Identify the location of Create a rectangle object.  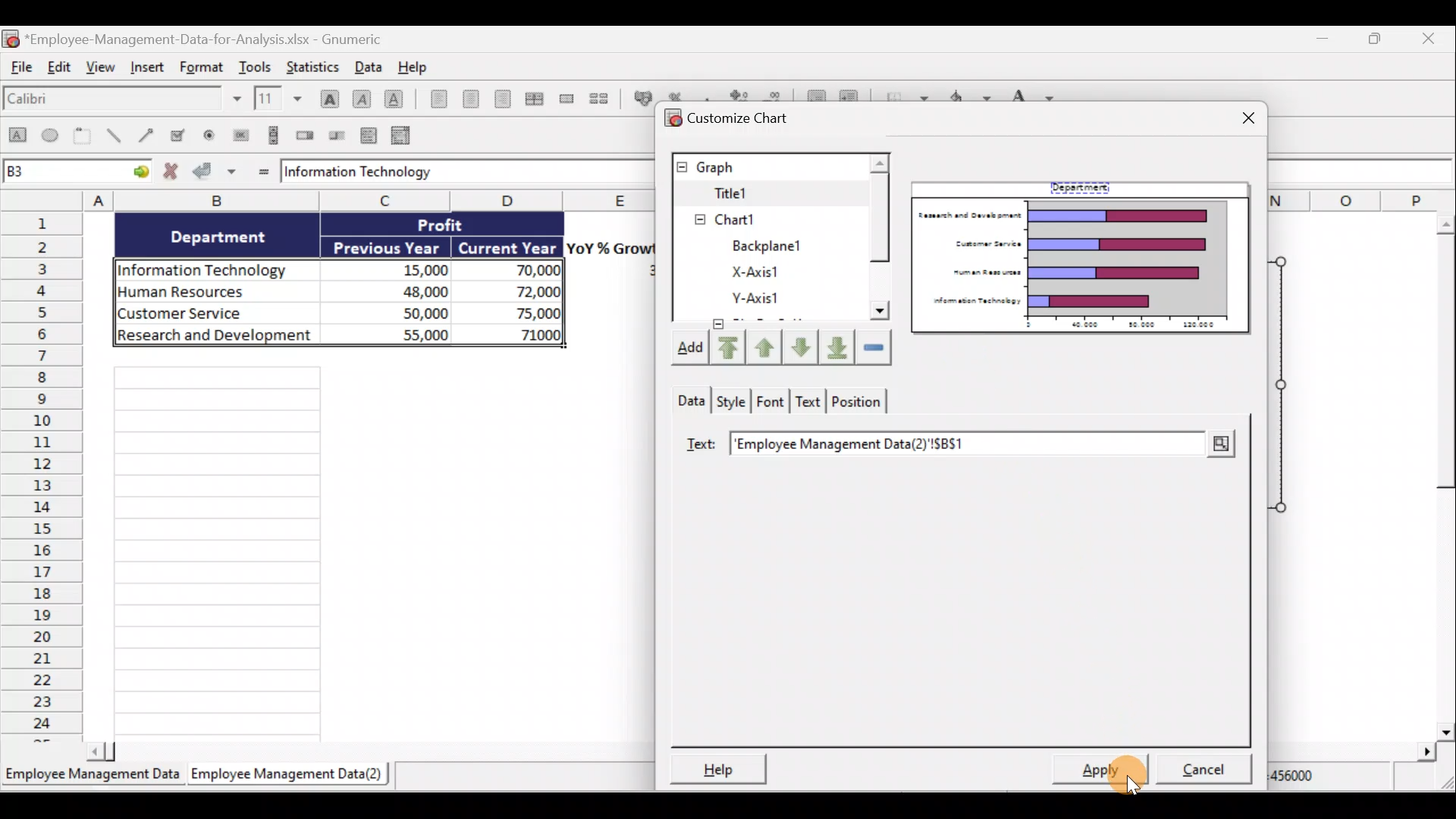
(17, 139).